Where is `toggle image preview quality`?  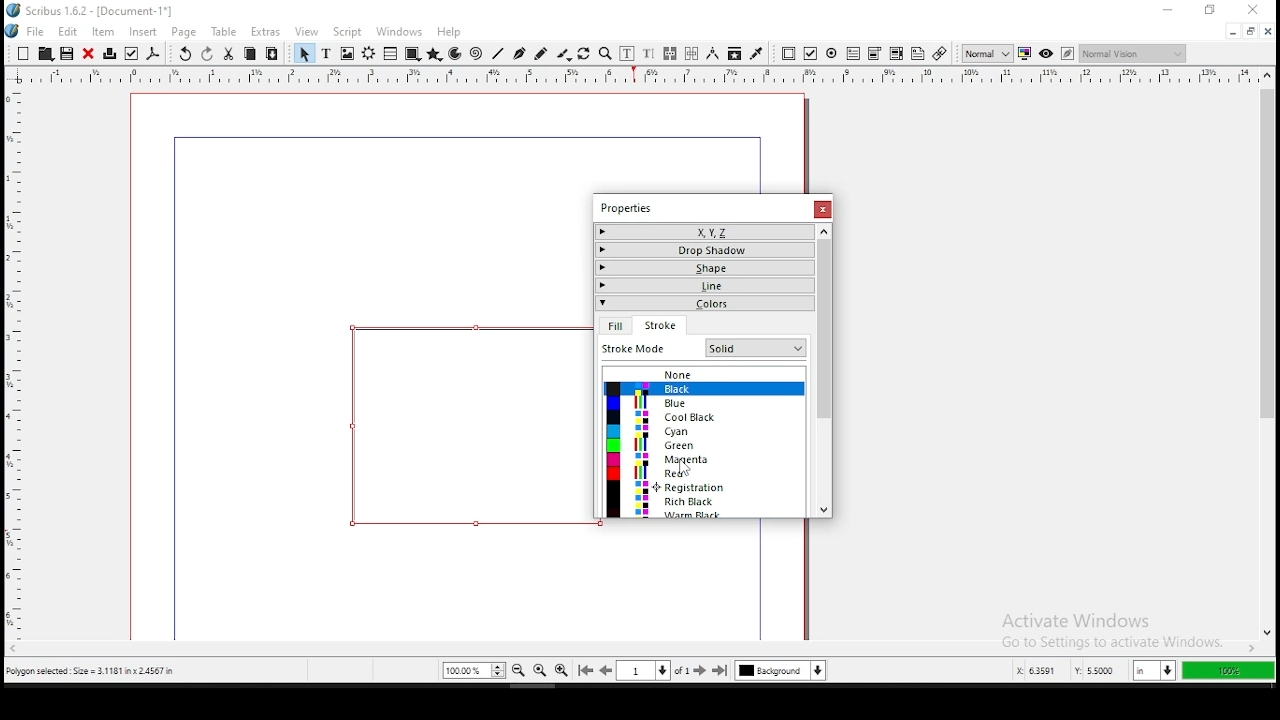
toggle image preview quality is located at coordinates (986, 53).